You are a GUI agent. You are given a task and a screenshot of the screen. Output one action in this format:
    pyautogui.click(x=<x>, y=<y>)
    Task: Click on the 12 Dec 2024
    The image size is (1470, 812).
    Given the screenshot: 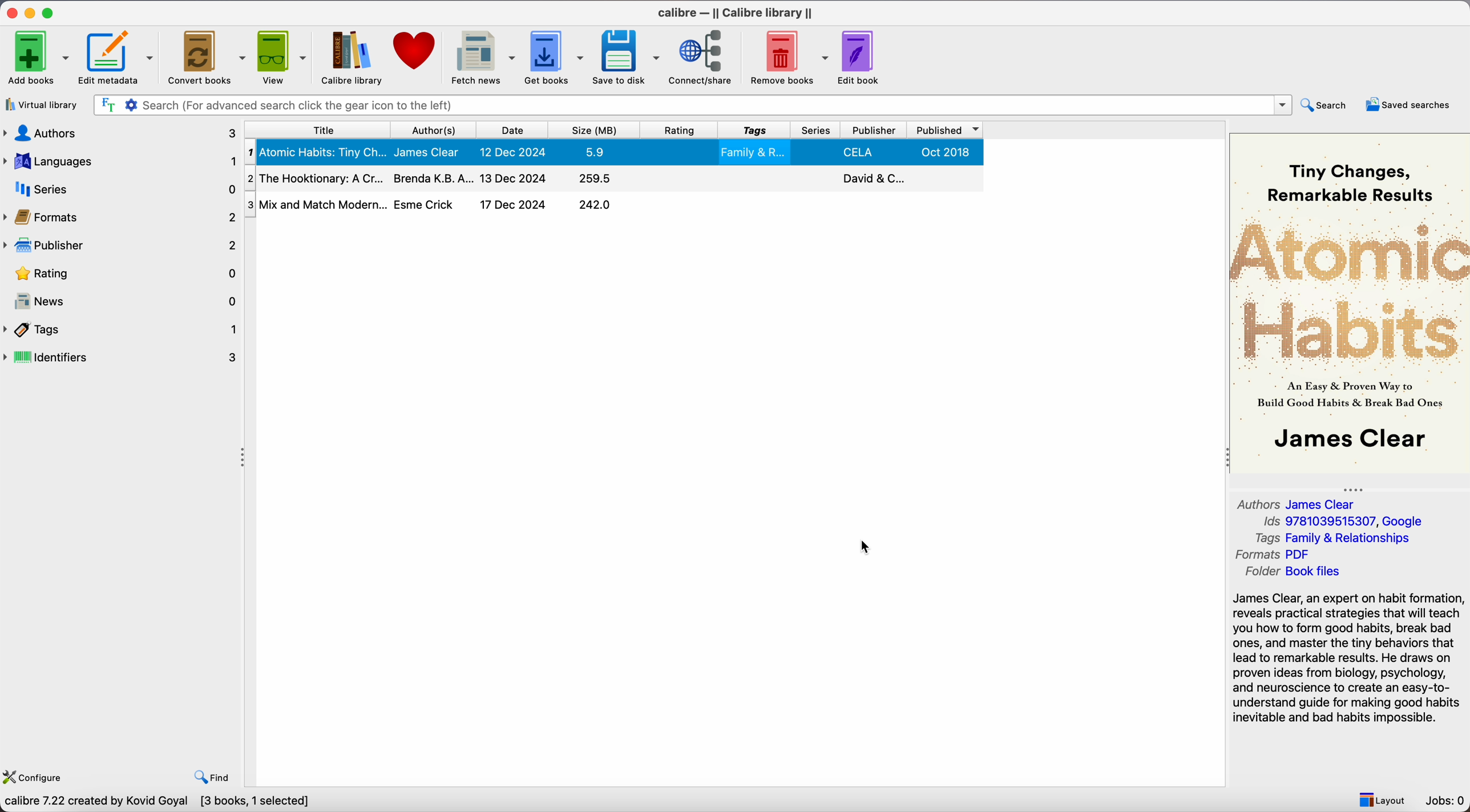 What is the action you would take?
    pyautogui.click(x=515, y=151)
    